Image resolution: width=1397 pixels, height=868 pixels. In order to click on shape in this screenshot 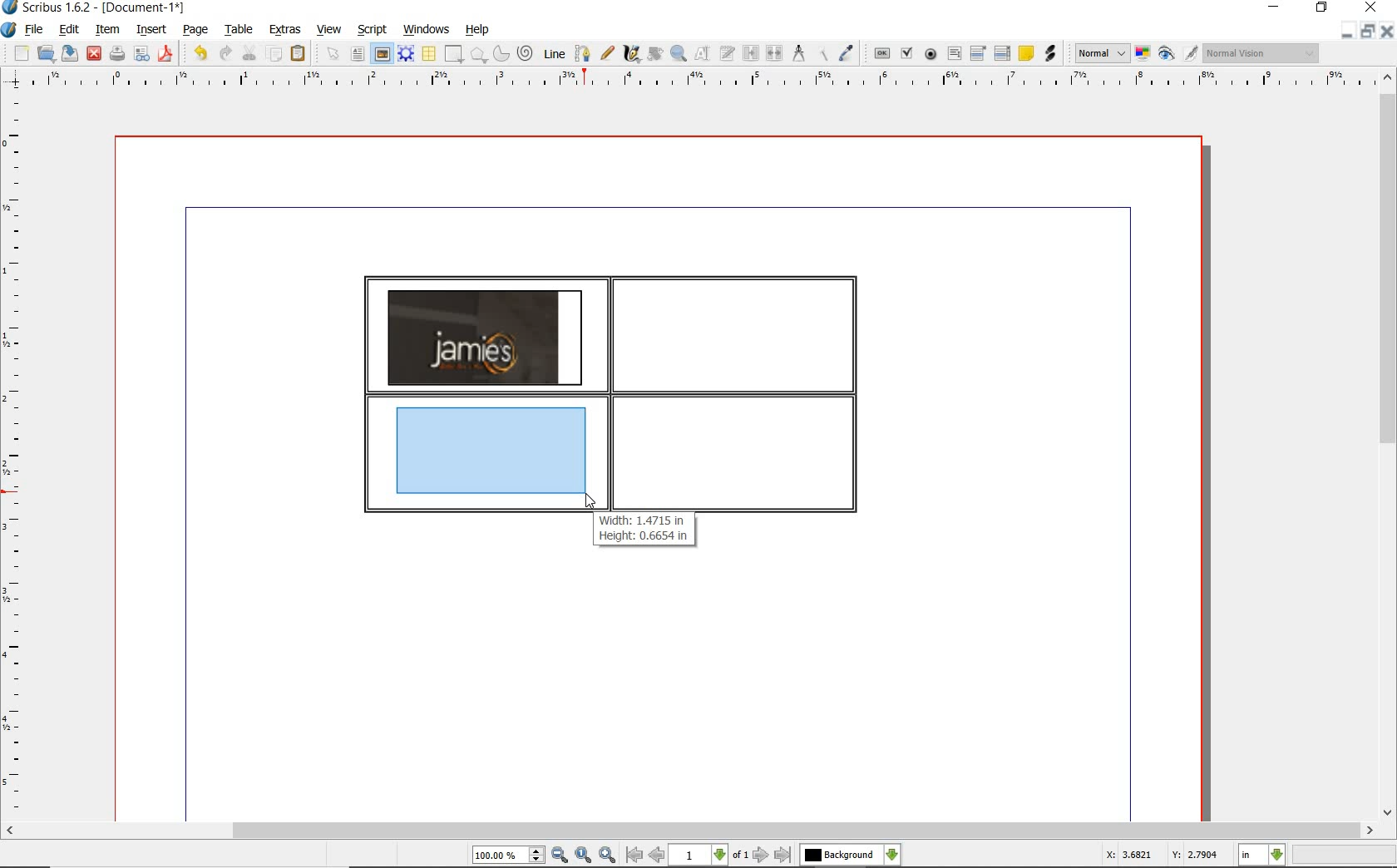, I will do `click(452, 55)`.